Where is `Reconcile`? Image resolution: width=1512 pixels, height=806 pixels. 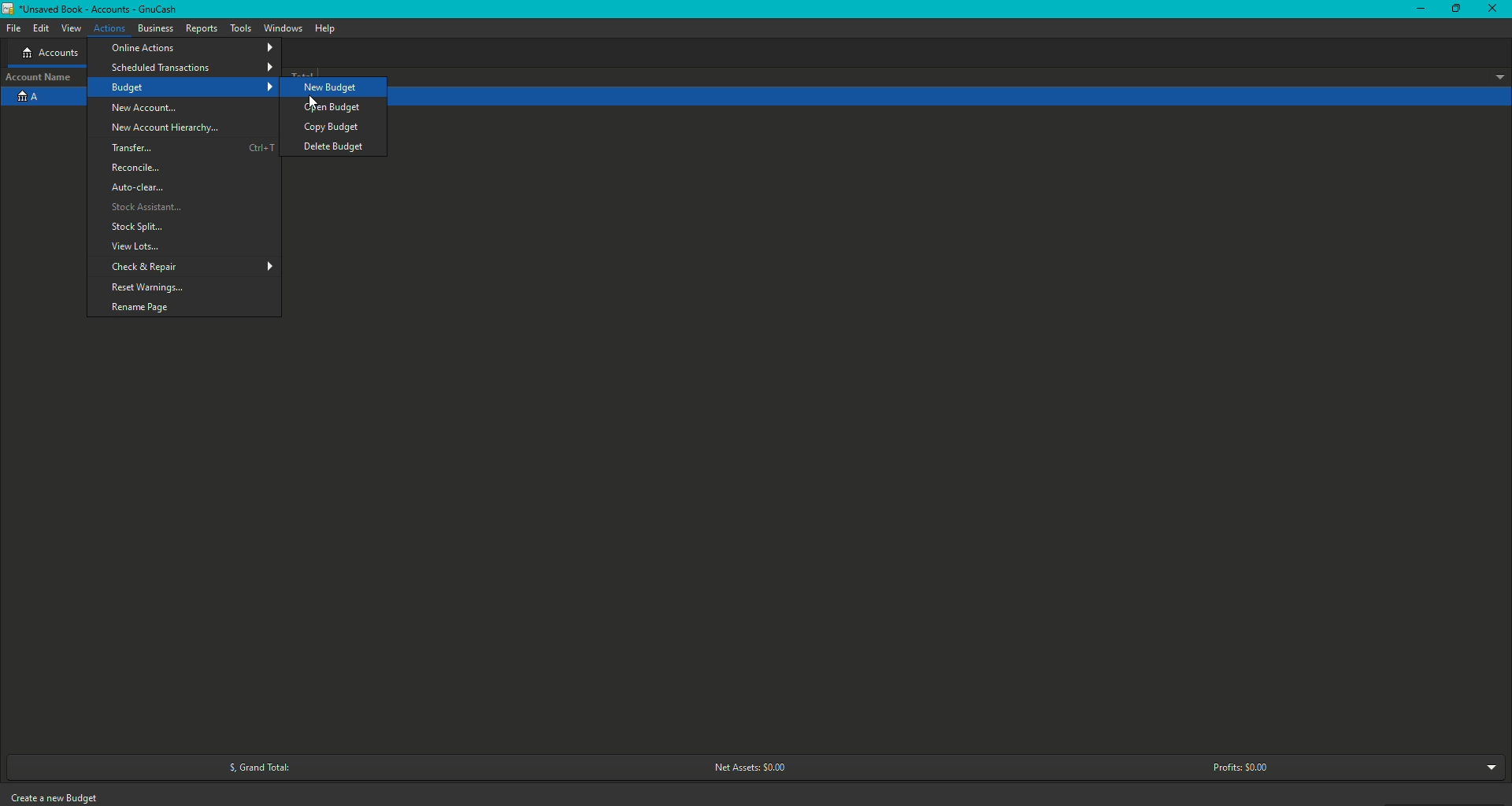 Reconcile is located at coordinates (135, 169).